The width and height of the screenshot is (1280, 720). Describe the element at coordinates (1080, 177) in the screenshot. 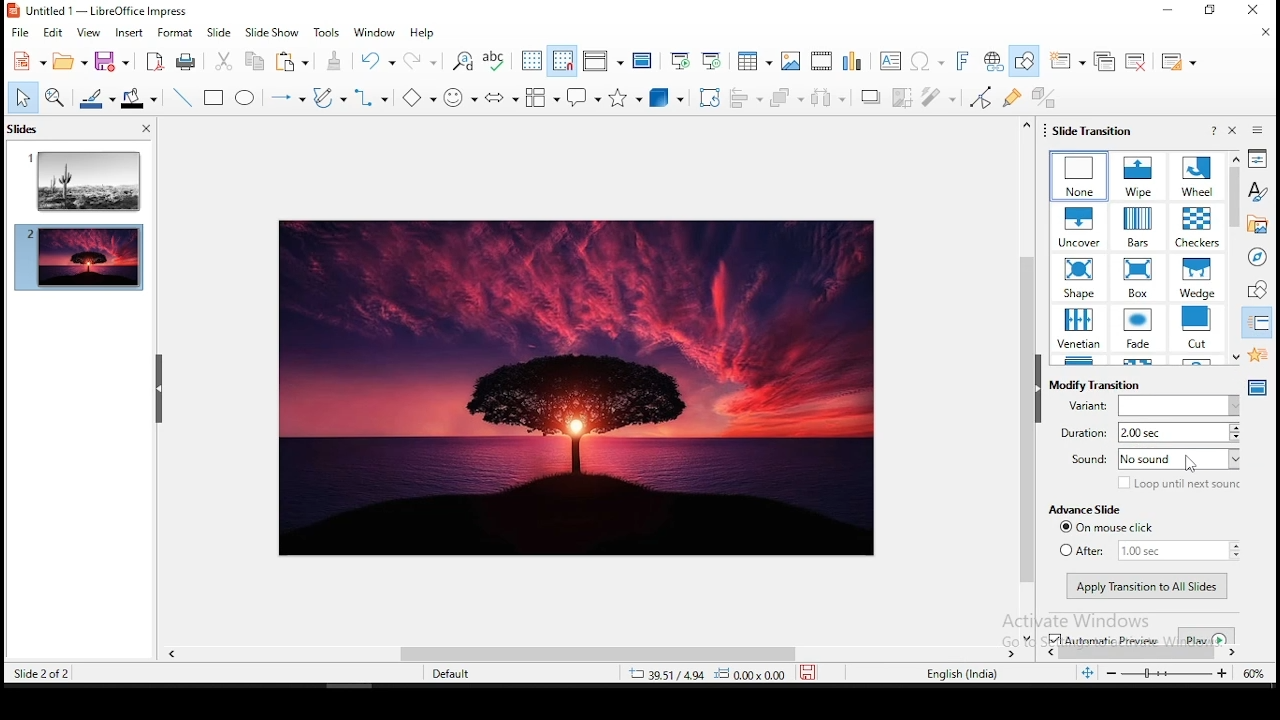

I see `transition effects` at that location.